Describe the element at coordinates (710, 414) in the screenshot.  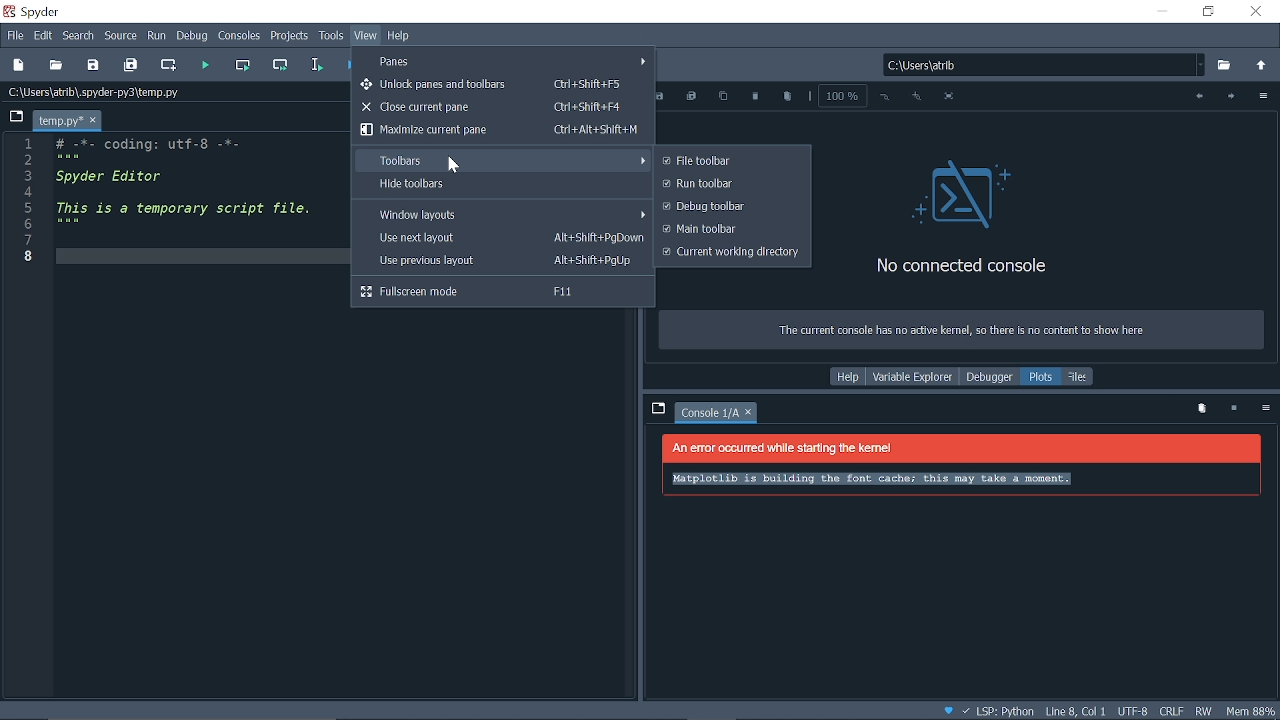
I see `Current console` at that location.